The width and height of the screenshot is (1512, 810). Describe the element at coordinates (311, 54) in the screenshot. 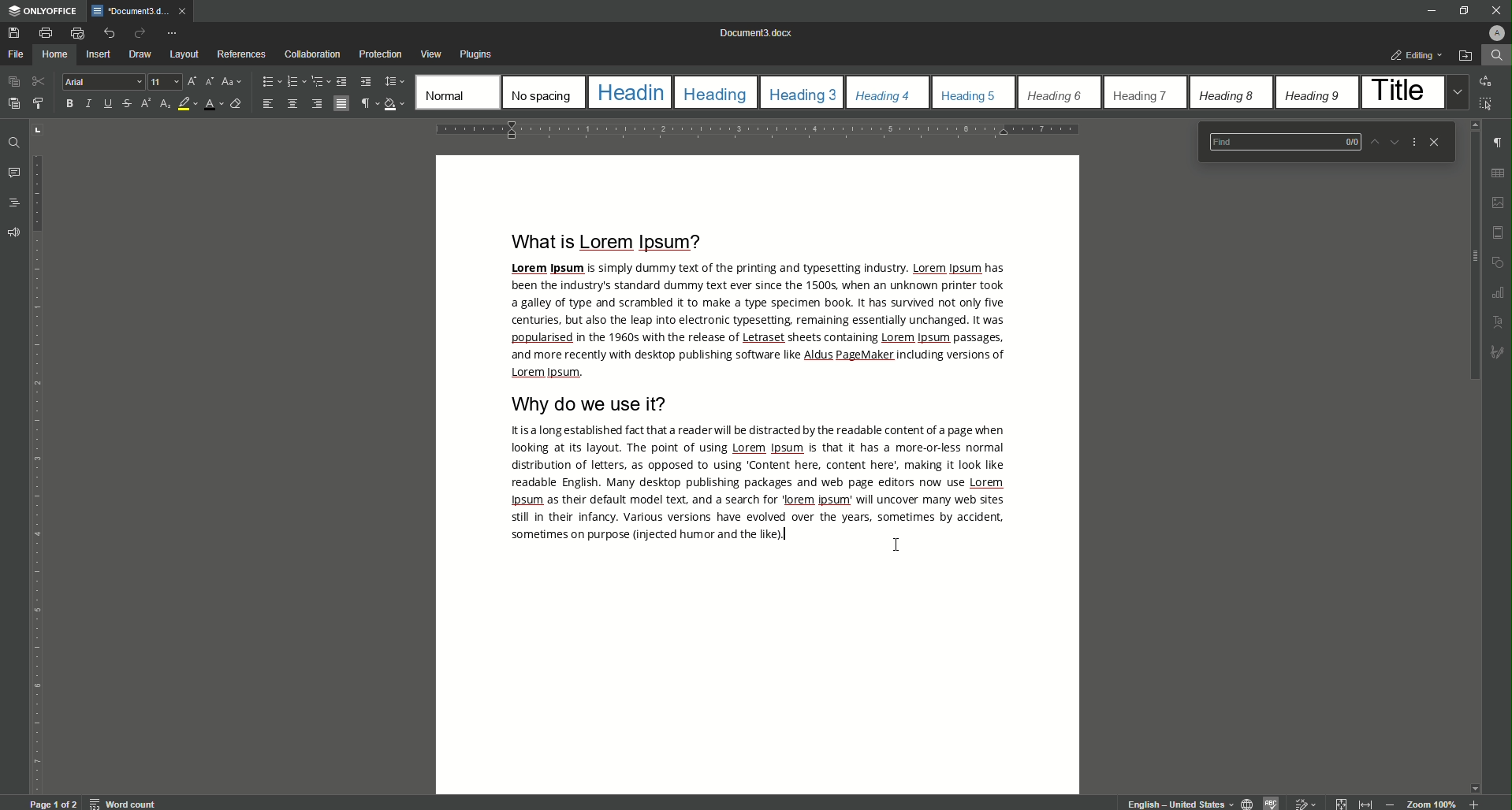

I see `Collaboration` at that location.